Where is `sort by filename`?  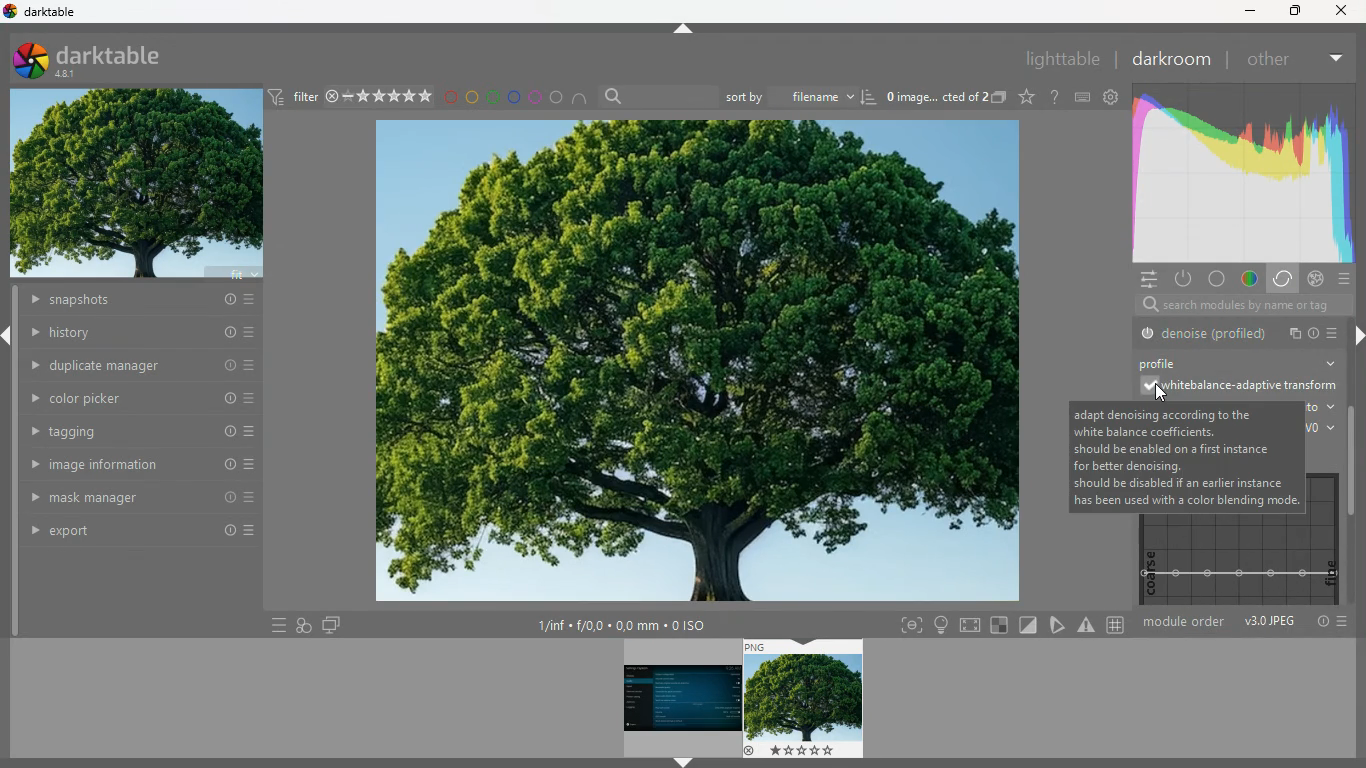
sort by filename is located at coordinates (788, 96).